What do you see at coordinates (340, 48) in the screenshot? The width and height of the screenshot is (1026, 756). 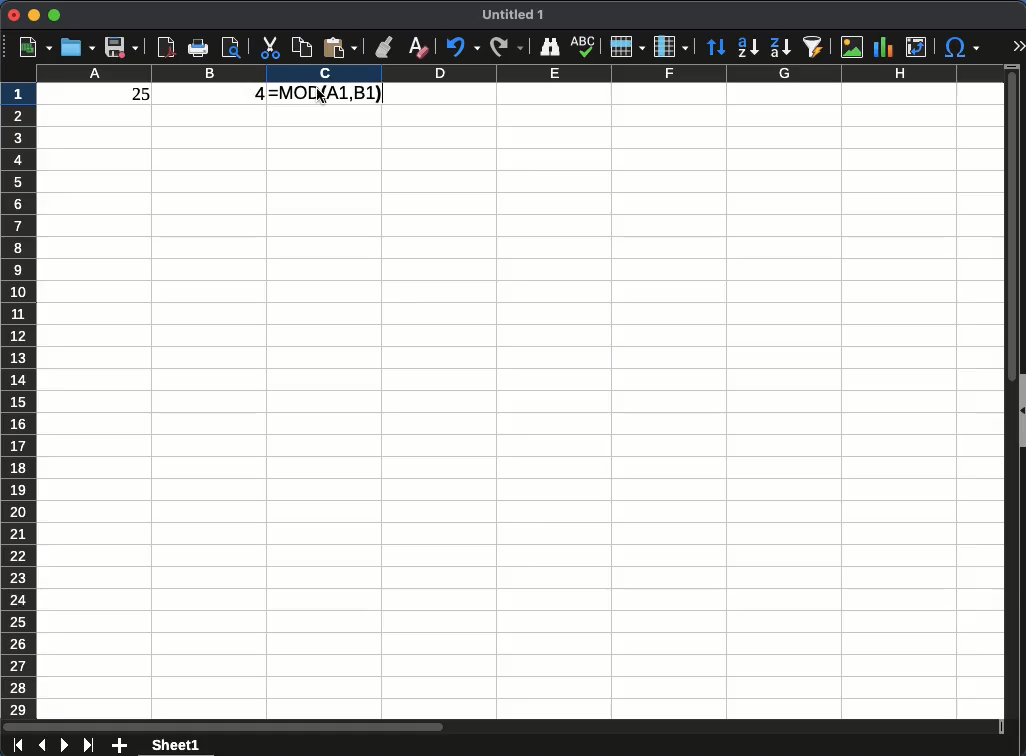 I see `paste` at bounding box center [340, 48].